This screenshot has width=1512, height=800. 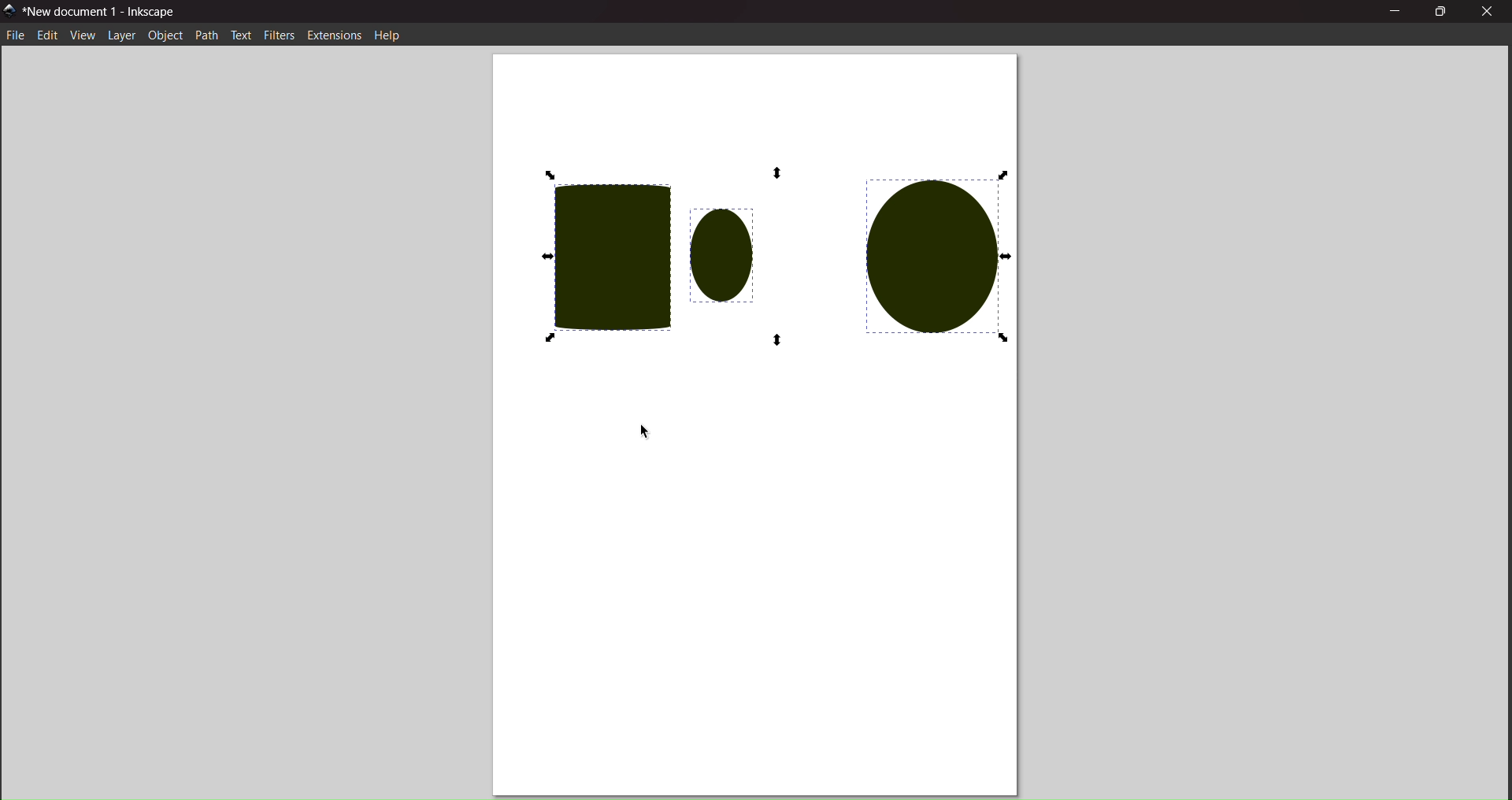 I want to click on text, so click(x=241, y=35).